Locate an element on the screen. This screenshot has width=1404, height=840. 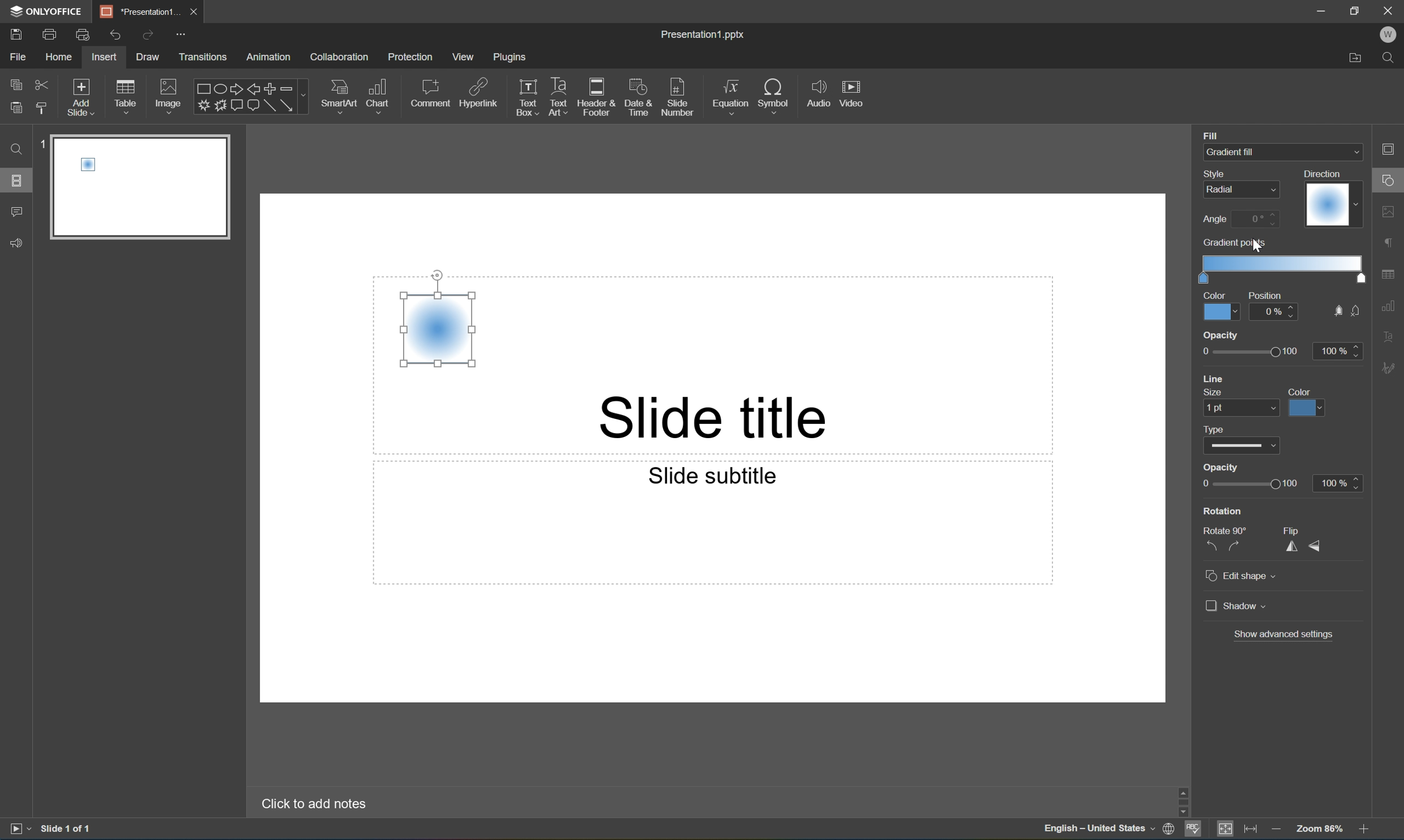
Flip is located at coordinates (1289, 528).